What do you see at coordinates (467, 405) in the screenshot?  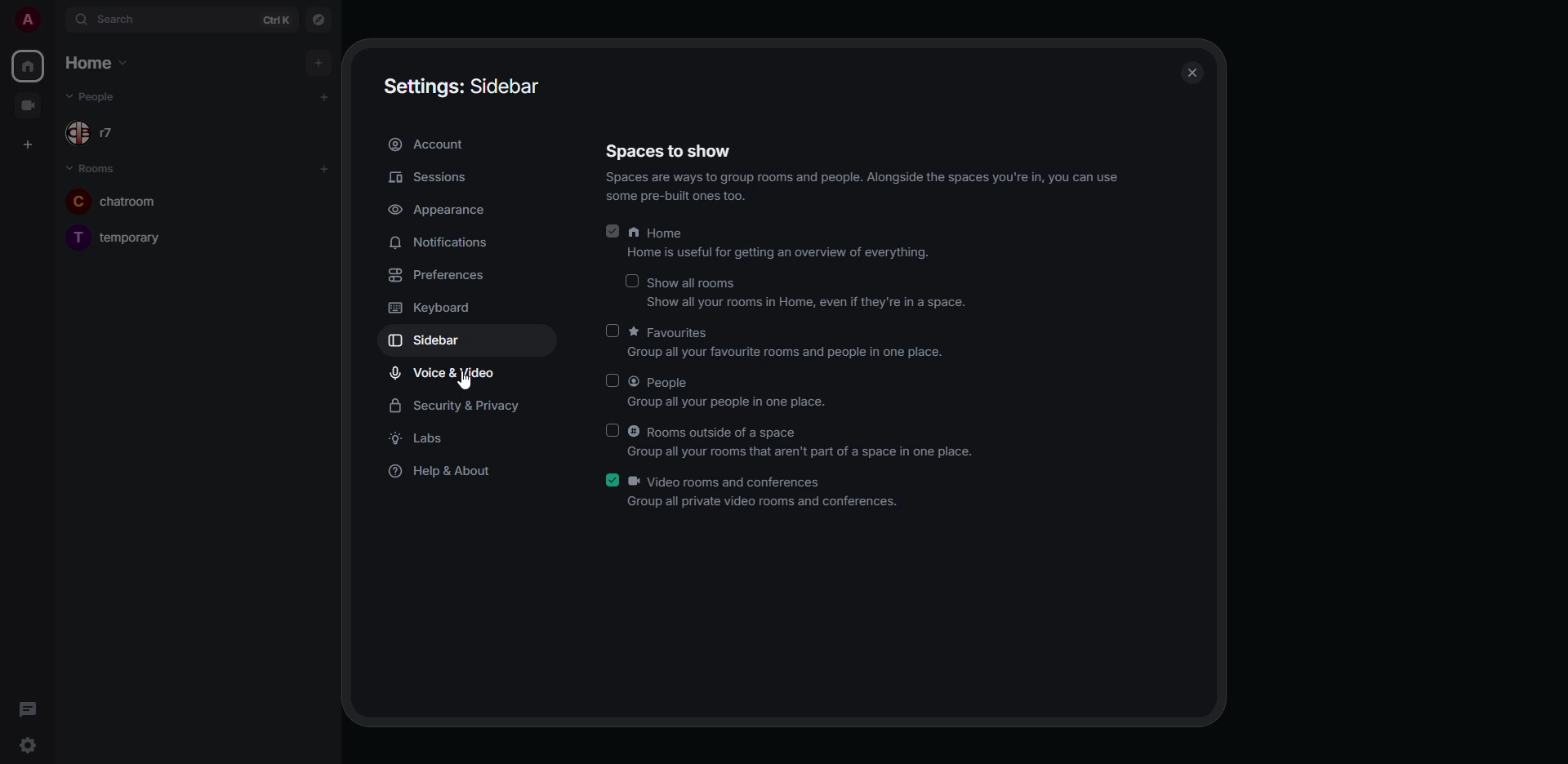 I see `security & privacy` at bounding box center [467, 405].